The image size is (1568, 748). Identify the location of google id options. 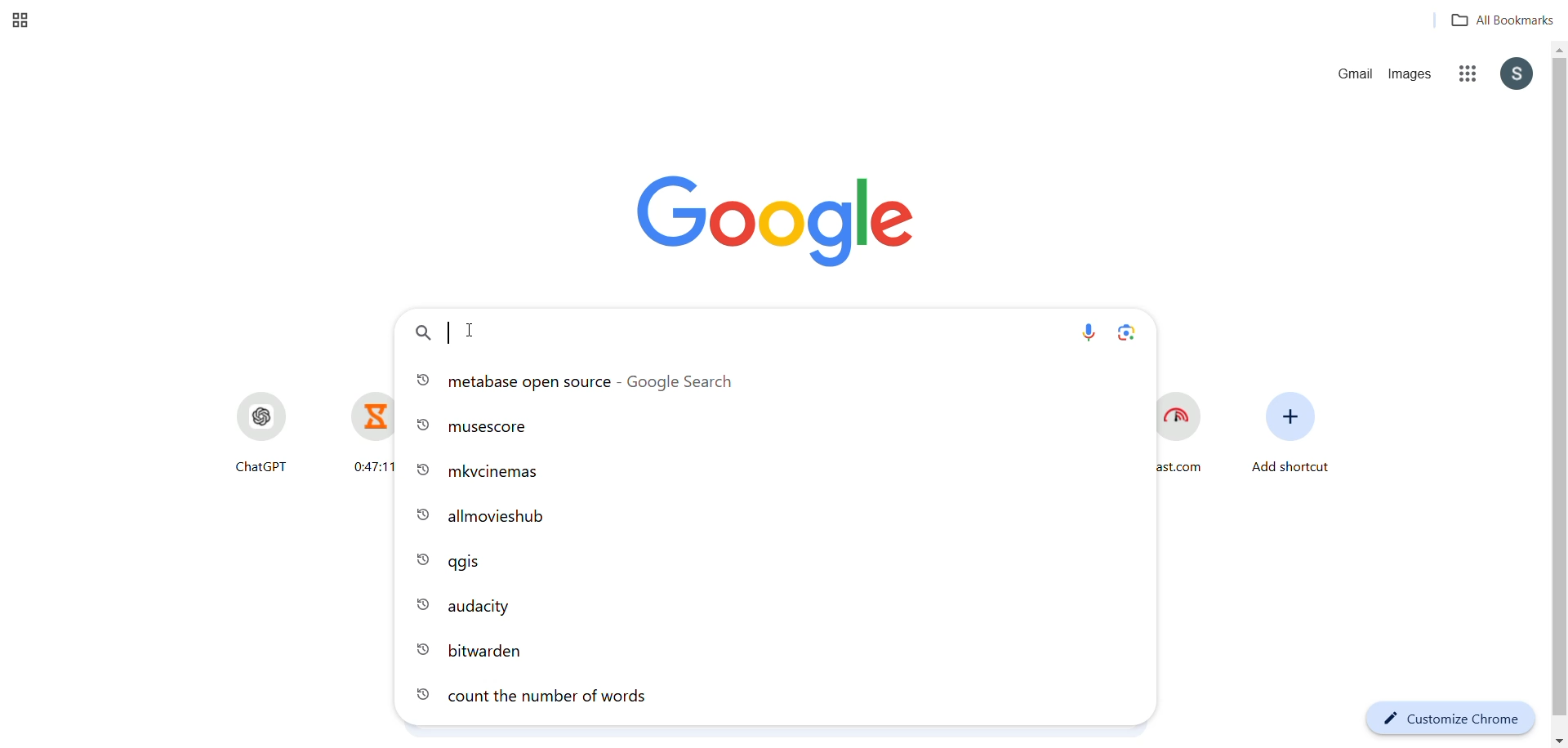
(1517, 75).